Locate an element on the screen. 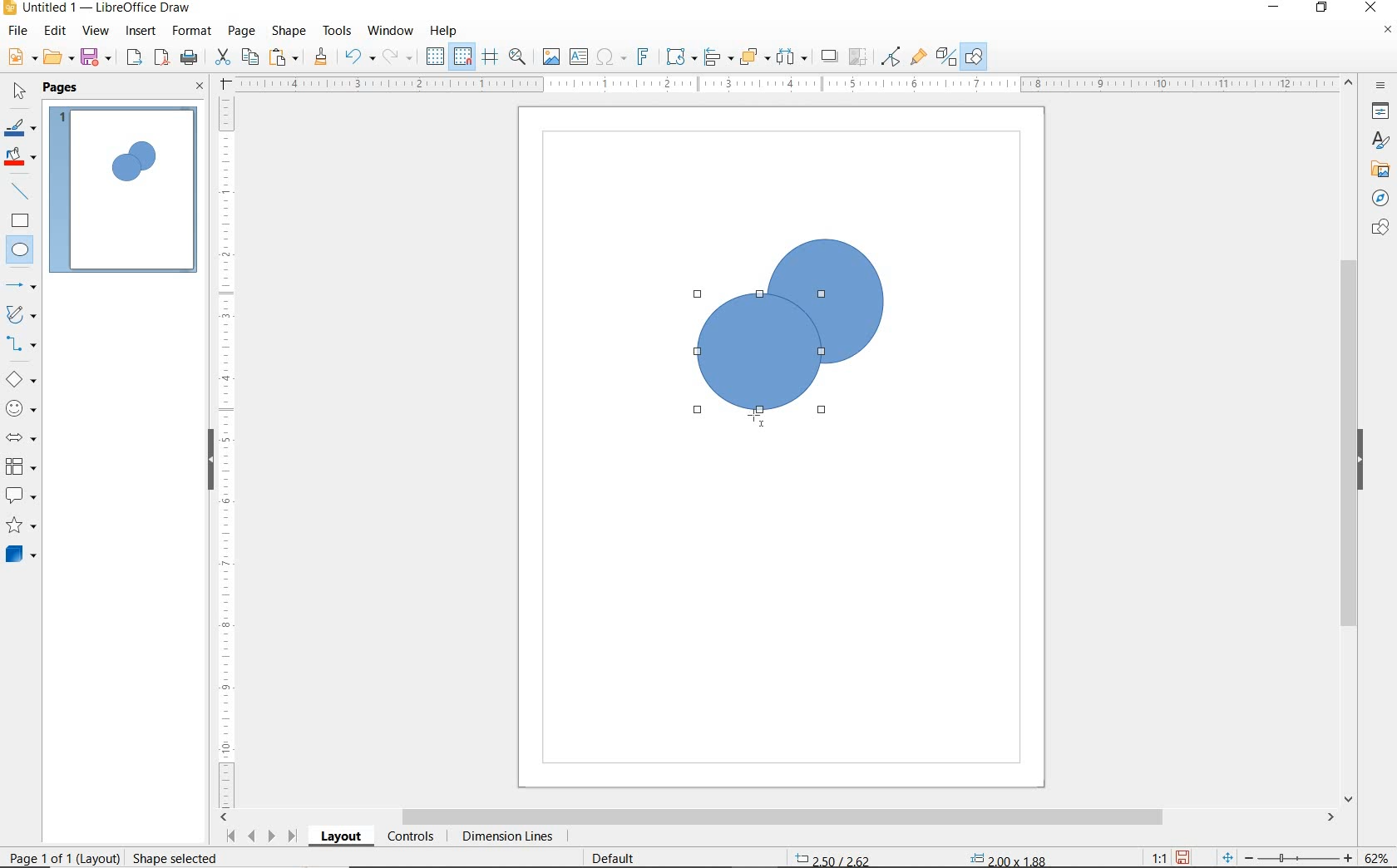 The width and height of the screenshot is (1397, 868). CALLOUT SHAPES is located at coordinates (20, 496).